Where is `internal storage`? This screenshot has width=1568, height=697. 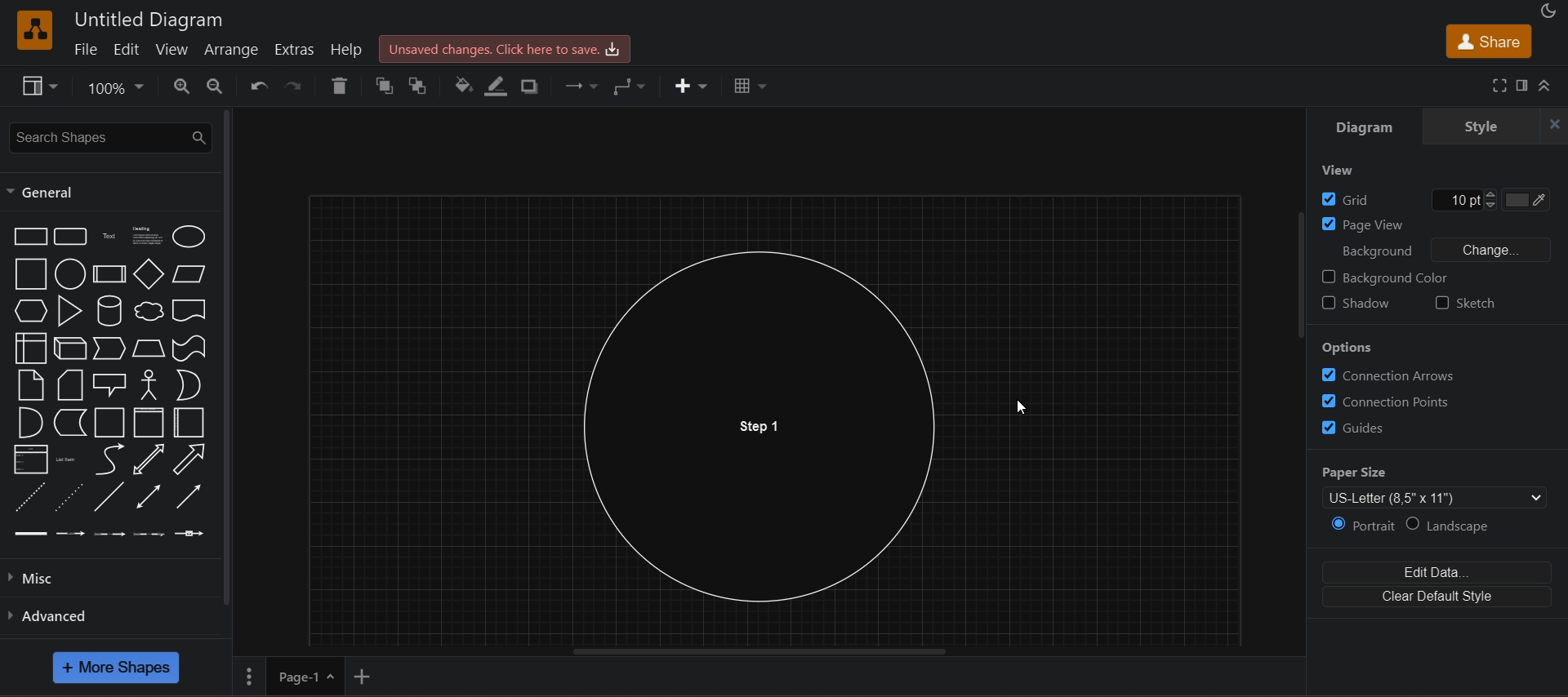
internal storage is located at coordinates (26, 347).